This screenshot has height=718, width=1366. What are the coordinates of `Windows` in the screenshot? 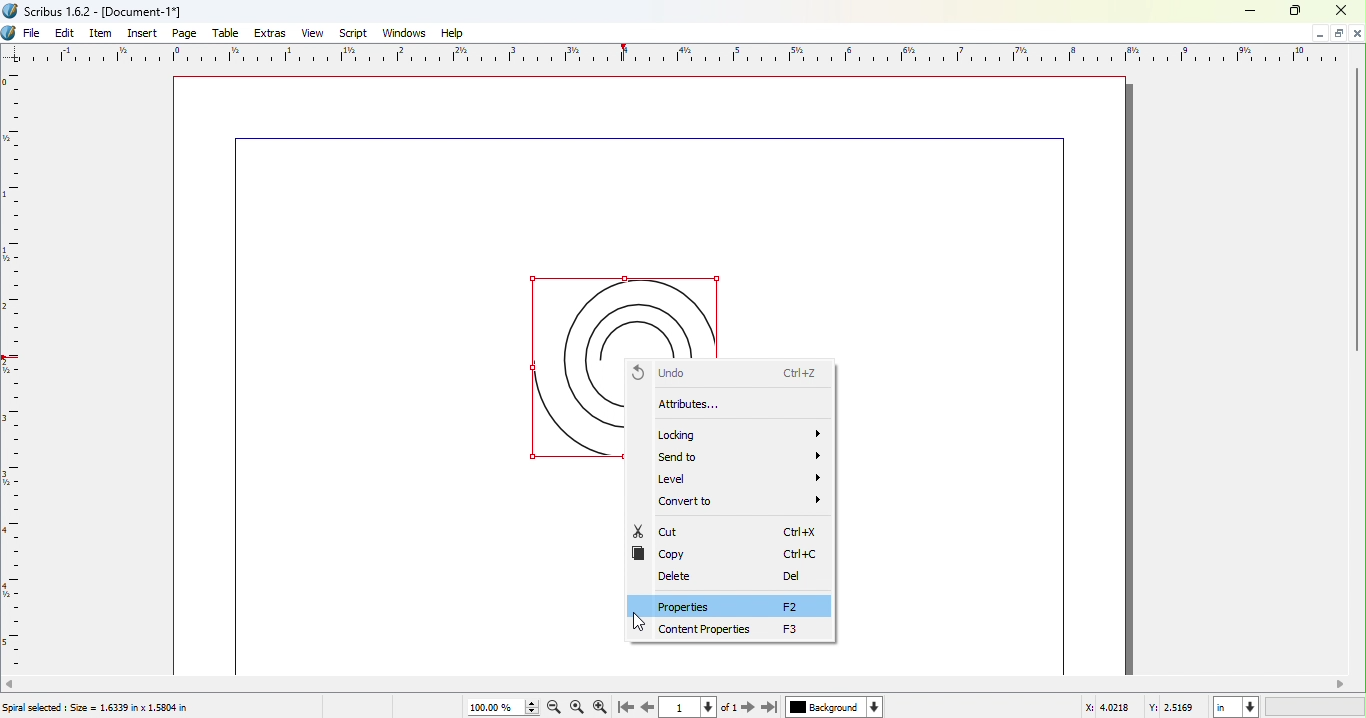 It's located at (403, 33).